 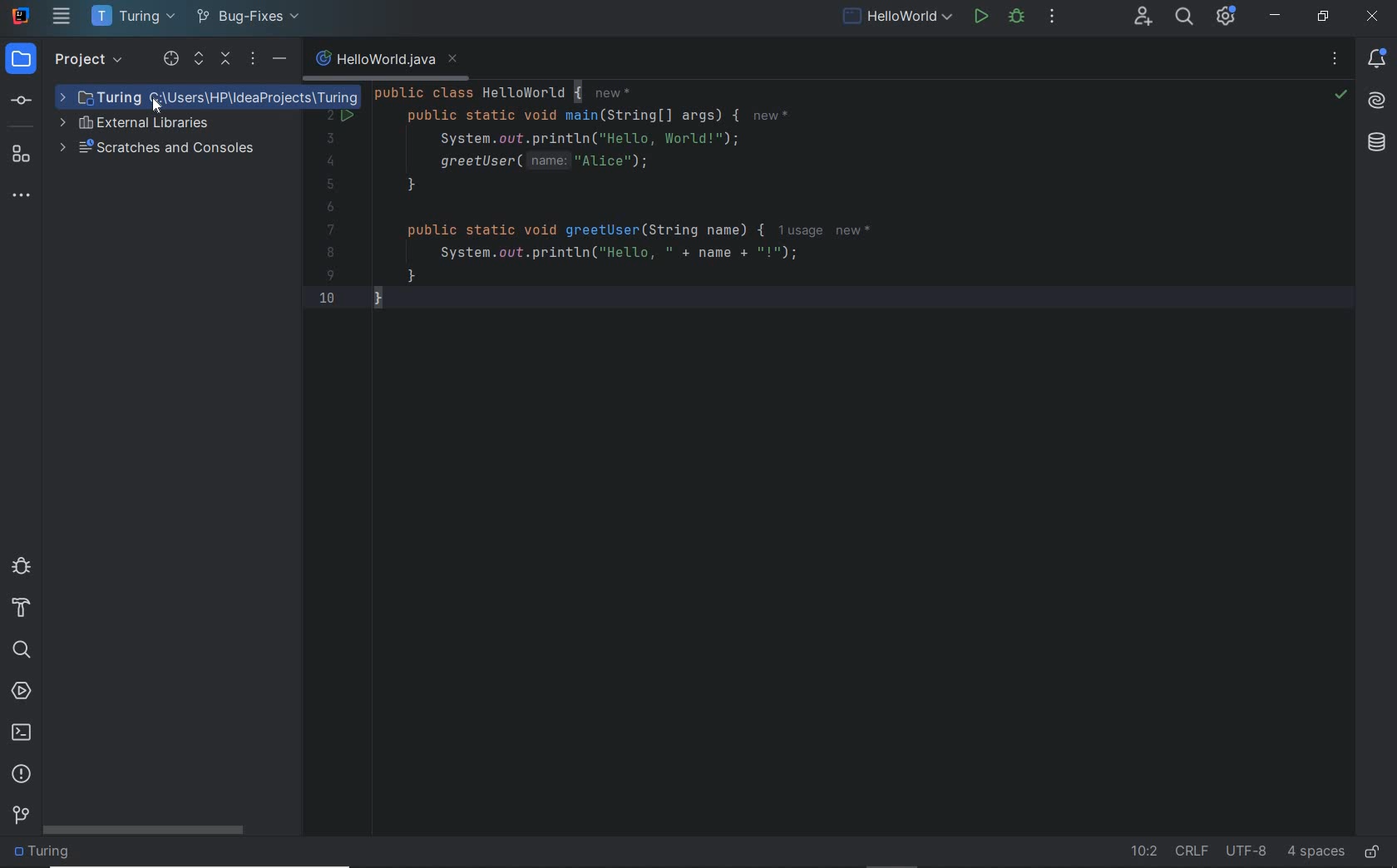 What do you see at coordinates (330, 161) in the screenshot?
I see `4` at bounding box center [330, 161].